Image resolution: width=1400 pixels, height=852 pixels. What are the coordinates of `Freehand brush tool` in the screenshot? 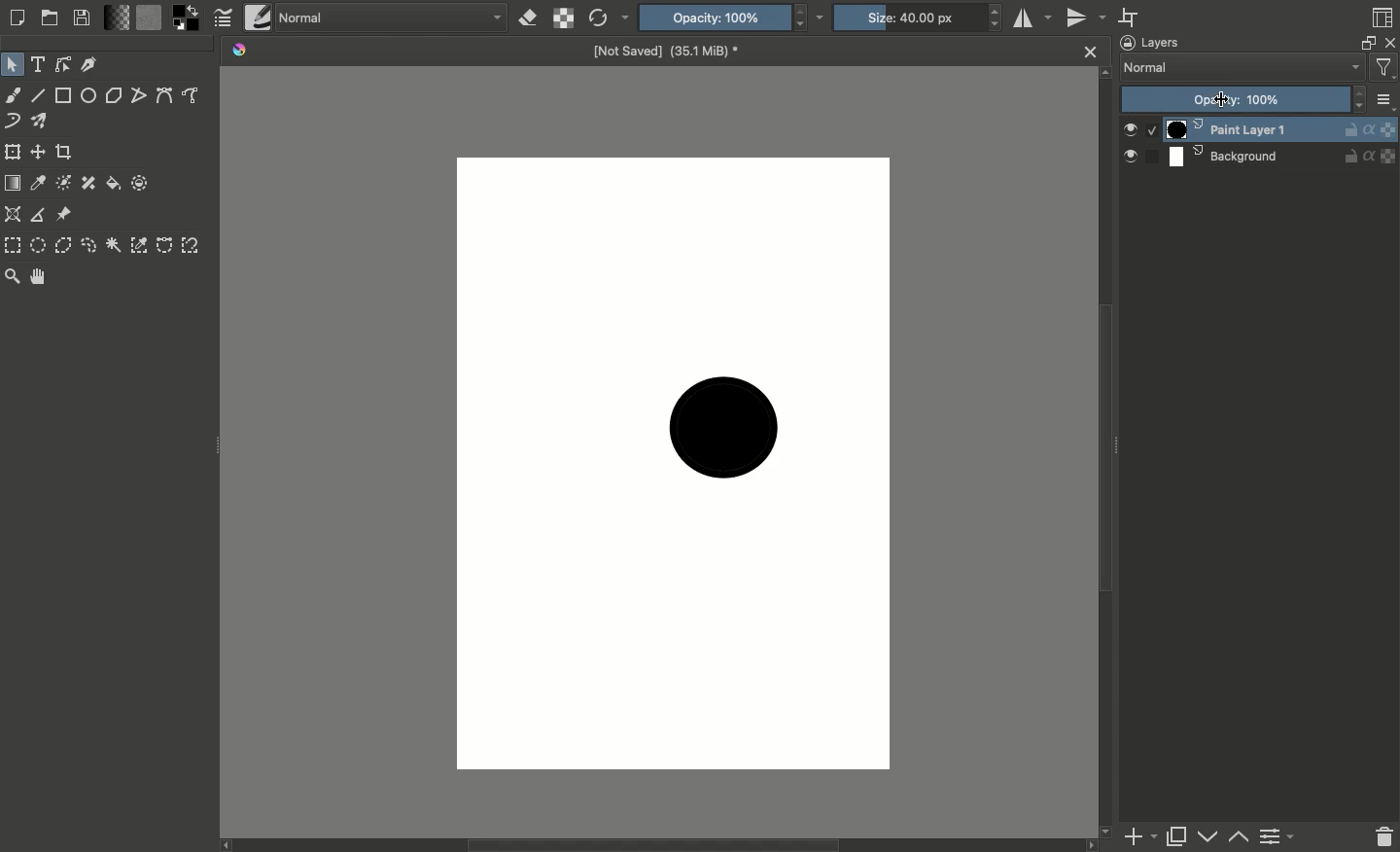 It's located at (13, 95).